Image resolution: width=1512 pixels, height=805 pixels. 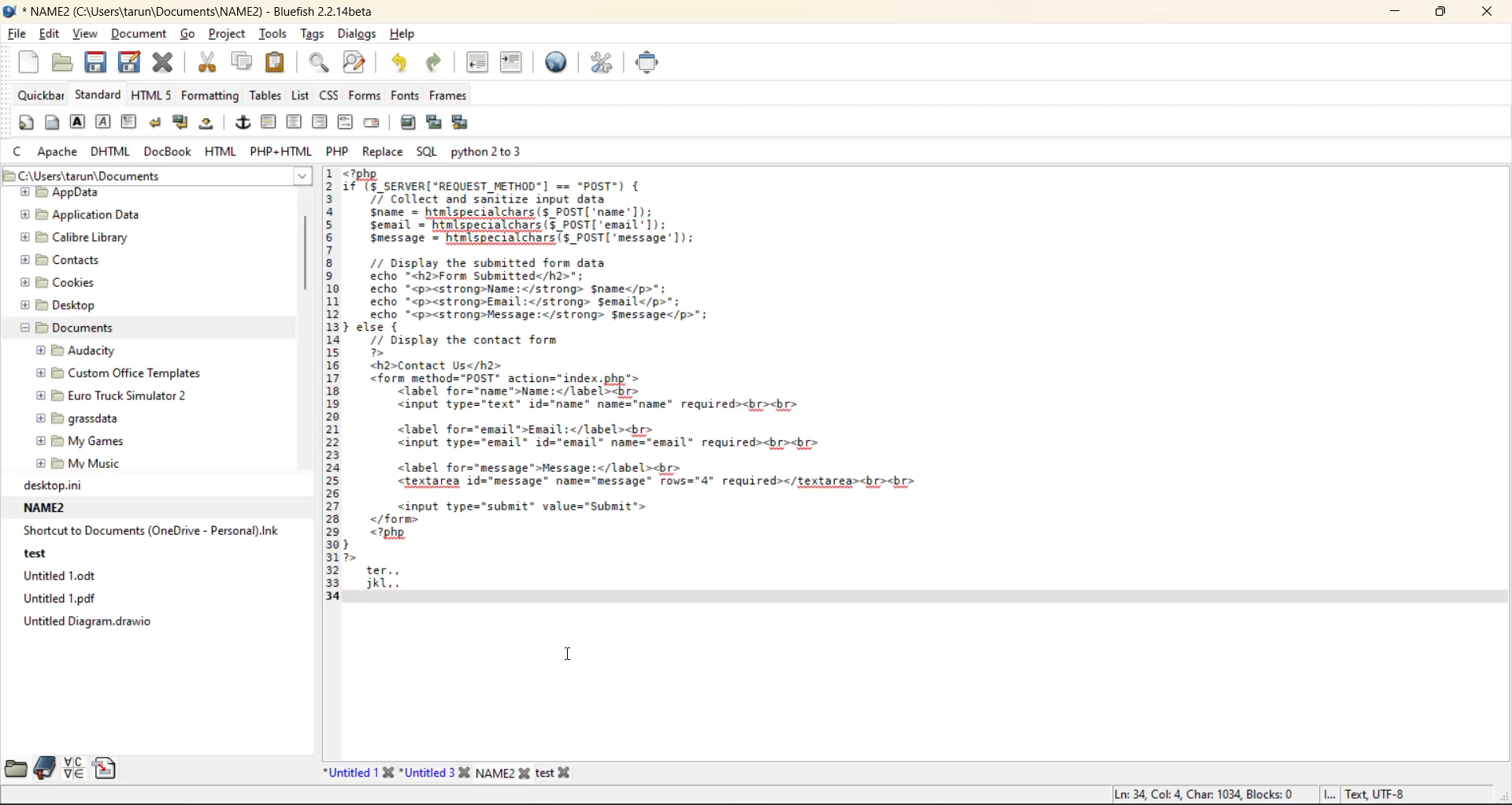 What do you see at coordinates (53, 35) in the screenshot?
I see `edit` at bounding box center [53, 35].